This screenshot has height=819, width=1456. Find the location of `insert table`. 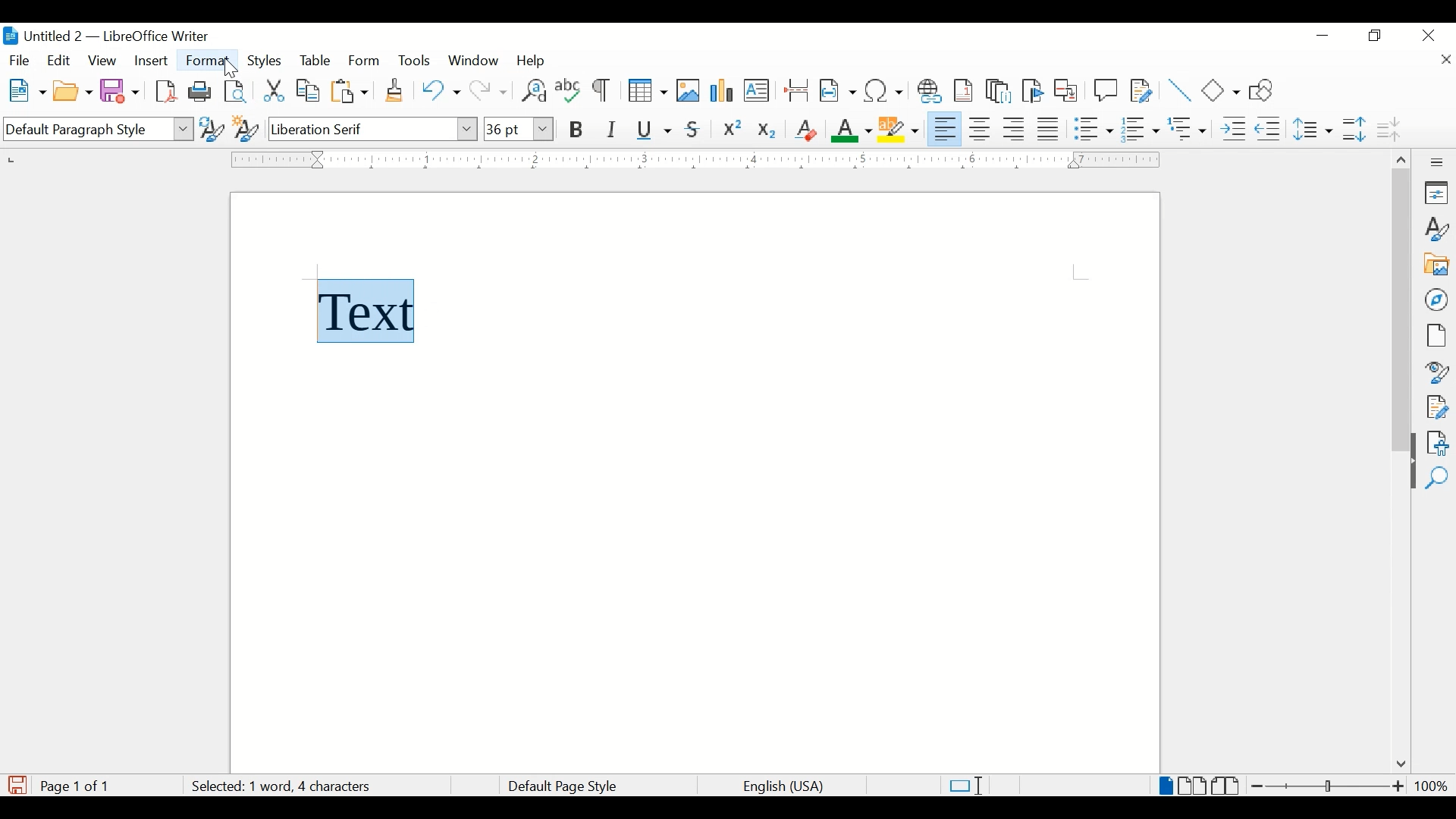

insert table is located at coordinates (648, 90).